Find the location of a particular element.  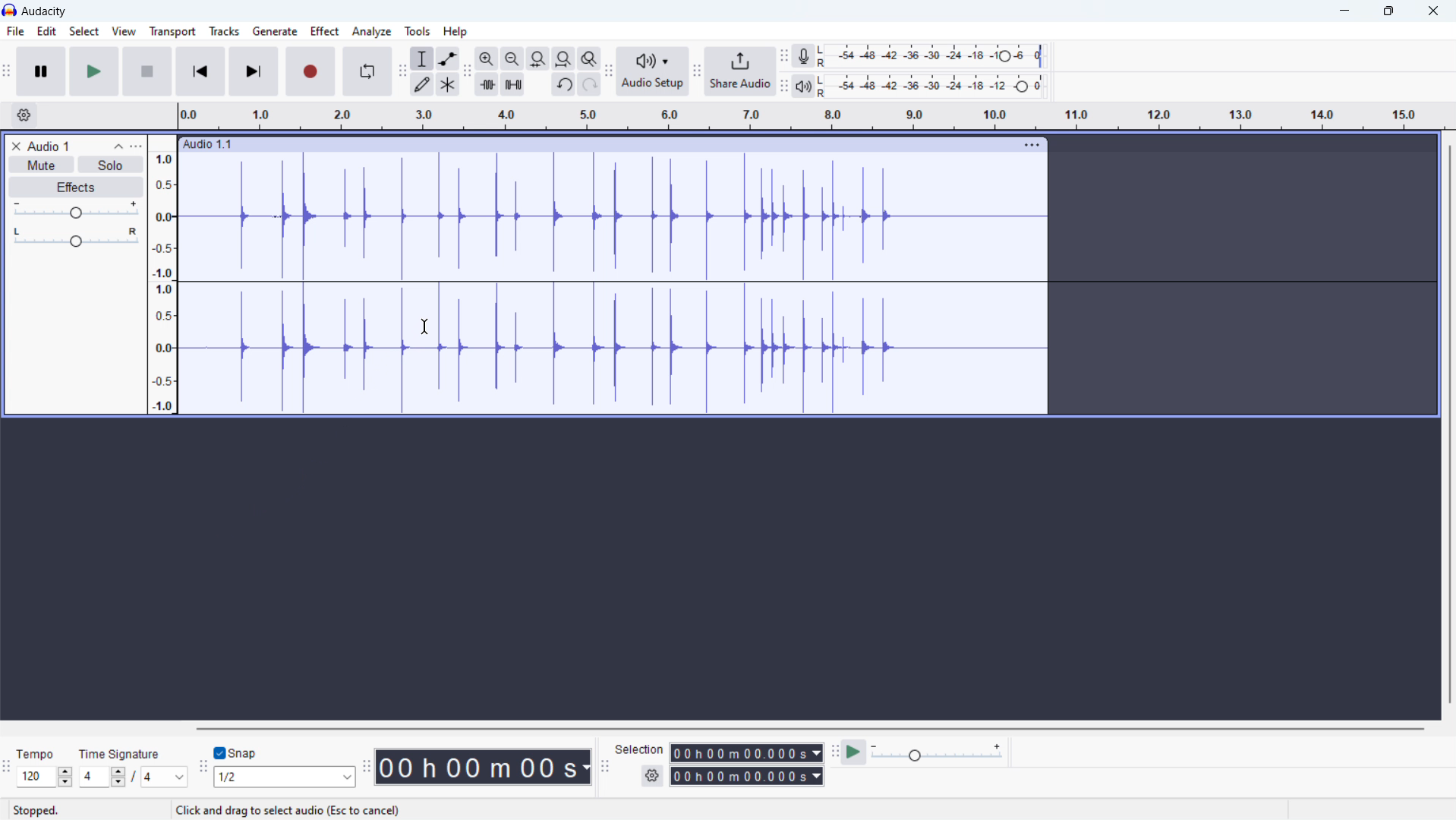

pan: center is located at coordinates (76, 237).